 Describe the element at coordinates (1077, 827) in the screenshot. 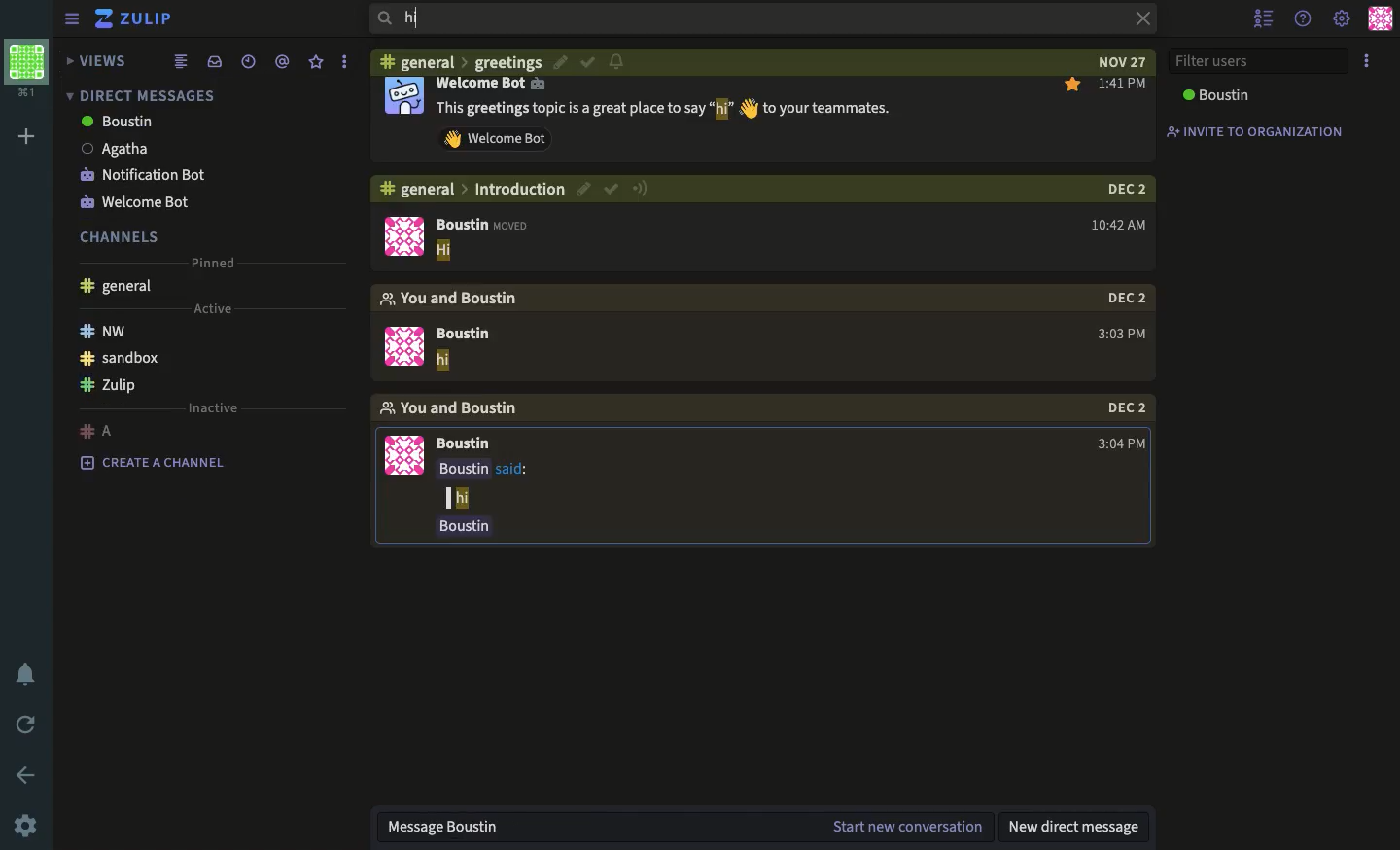

I see `new direct message` at that location.